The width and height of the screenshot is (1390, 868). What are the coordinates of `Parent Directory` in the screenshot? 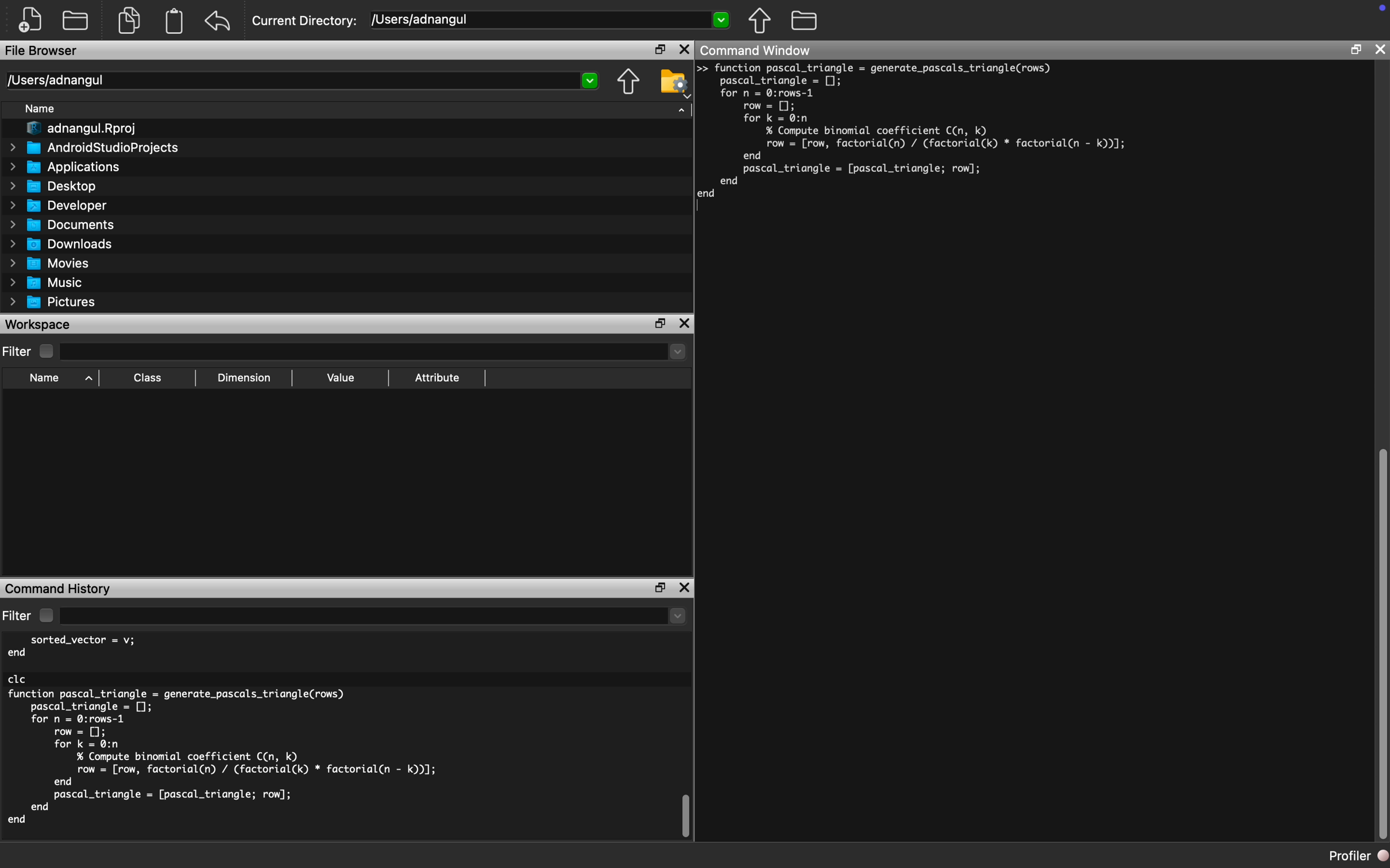 It's located at (760, 21).